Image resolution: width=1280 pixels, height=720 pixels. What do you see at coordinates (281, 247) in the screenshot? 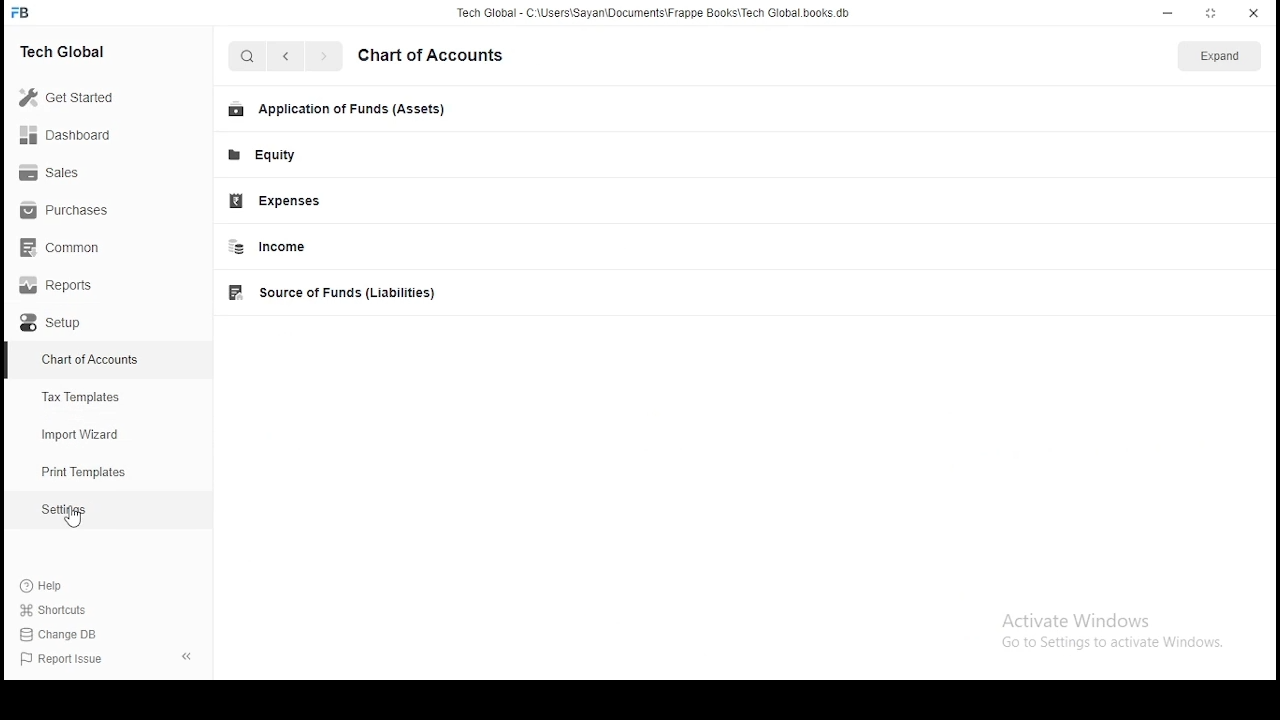
I see `income ` at bounding box center [281, 247].